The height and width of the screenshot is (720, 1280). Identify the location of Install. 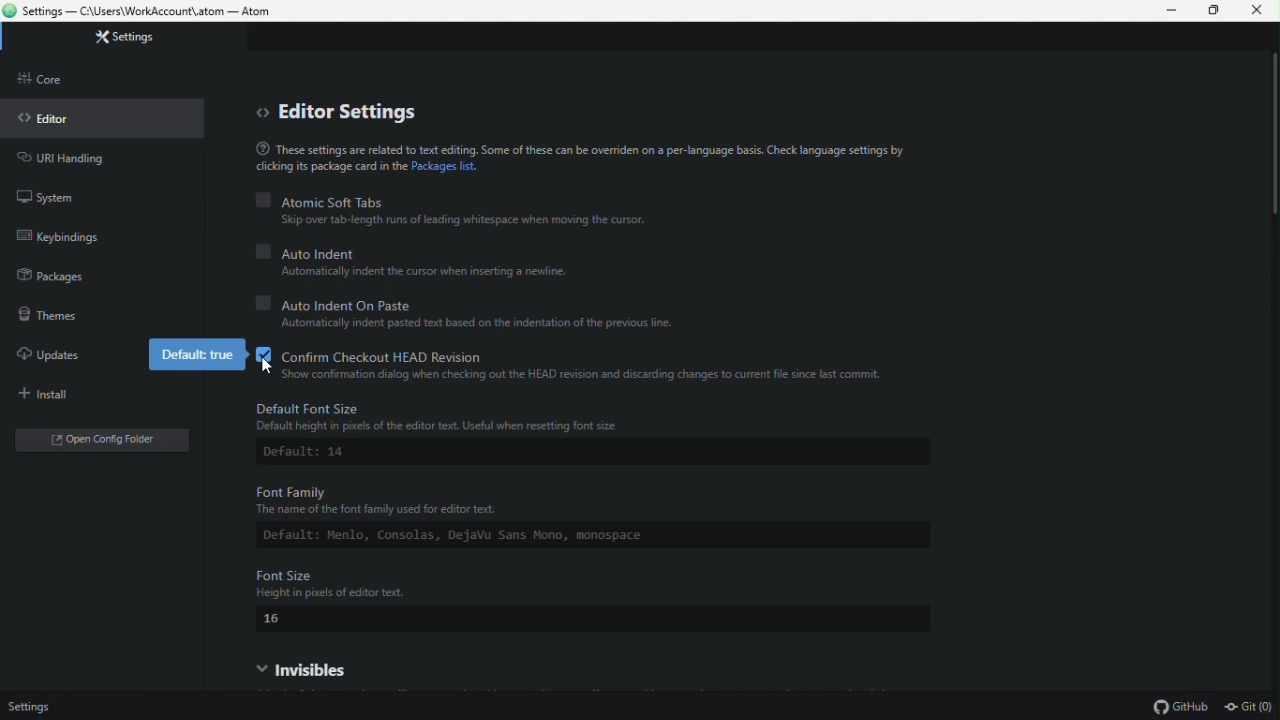
(52, 395).